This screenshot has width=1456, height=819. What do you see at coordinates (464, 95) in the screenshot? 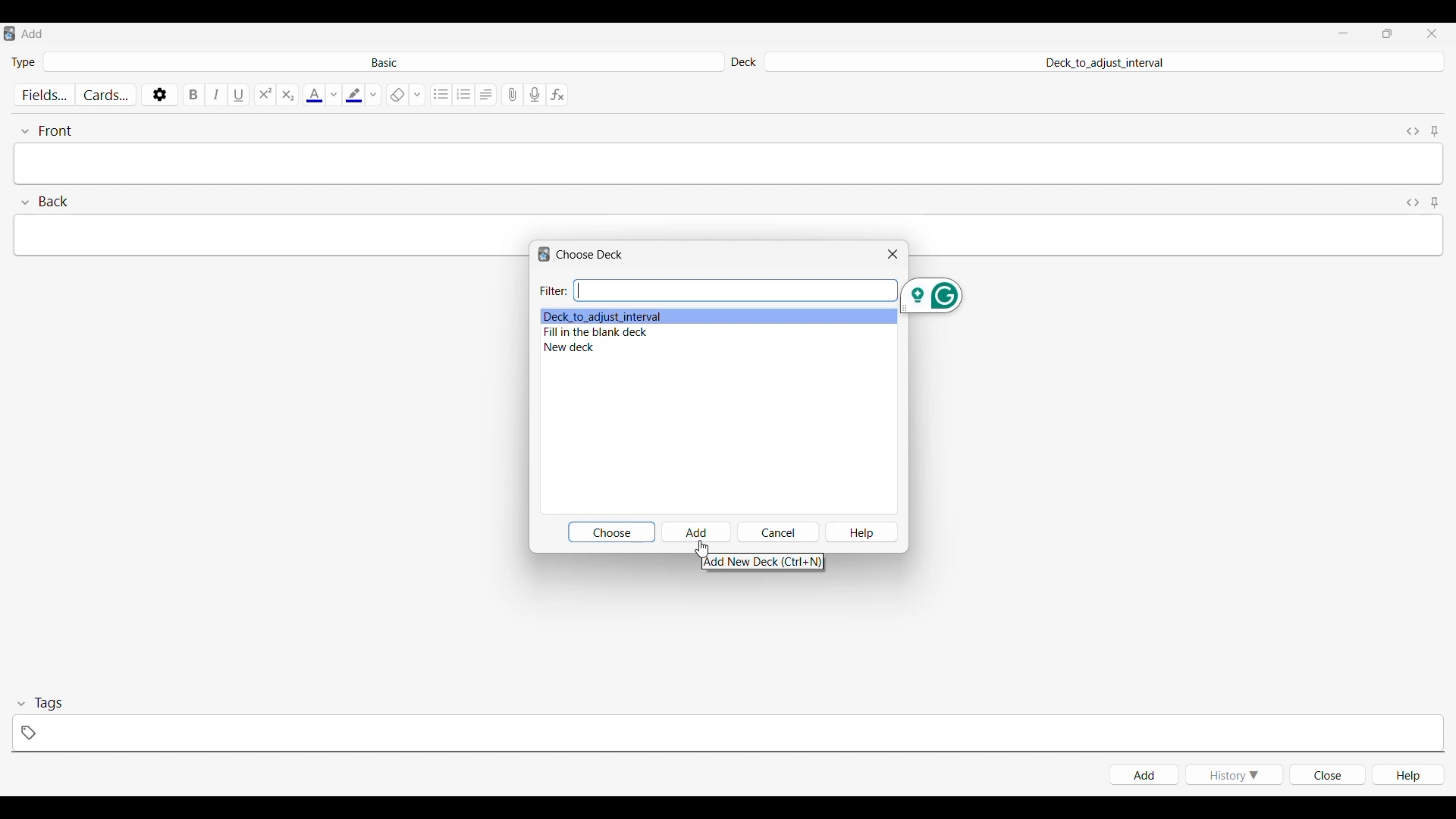
I see `Ordered list` at bounding box center [464, 95].